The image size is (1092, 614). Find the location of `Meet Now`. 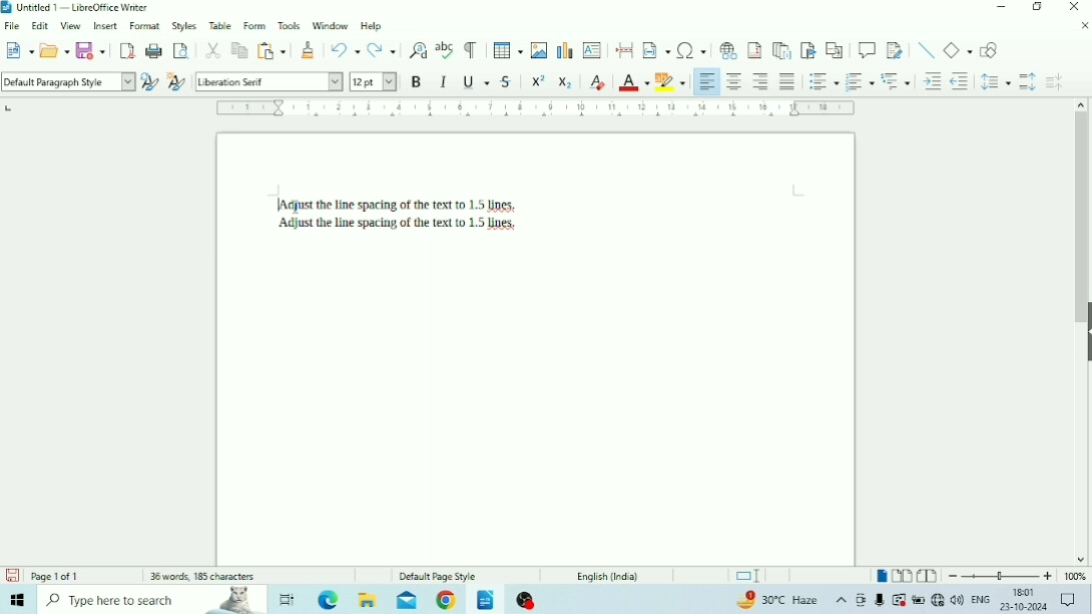

Meet Now is located at coordinates (862, 600).